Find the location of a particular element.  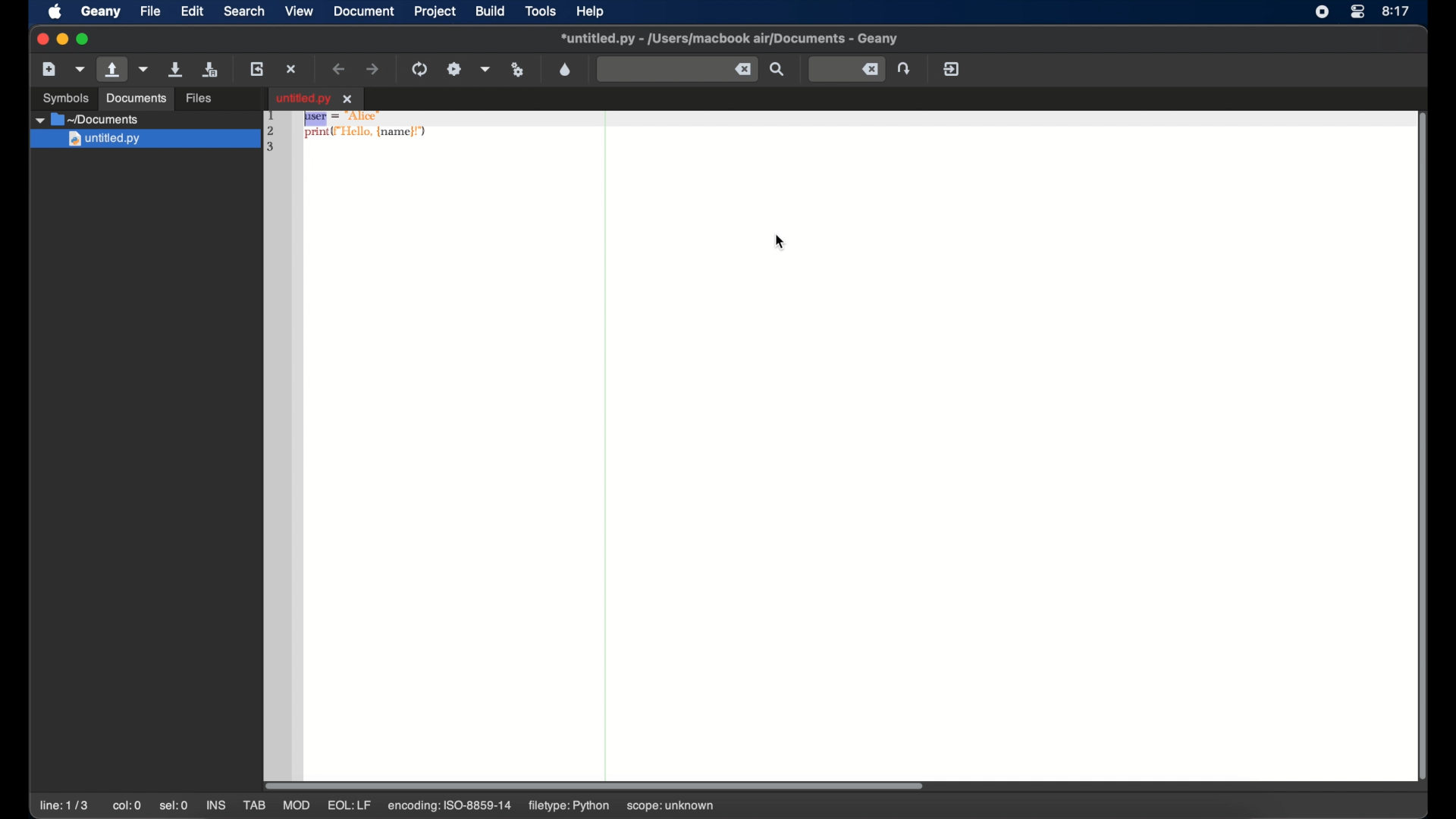

open a color chooser dialog is located at coordinates (566, 70).